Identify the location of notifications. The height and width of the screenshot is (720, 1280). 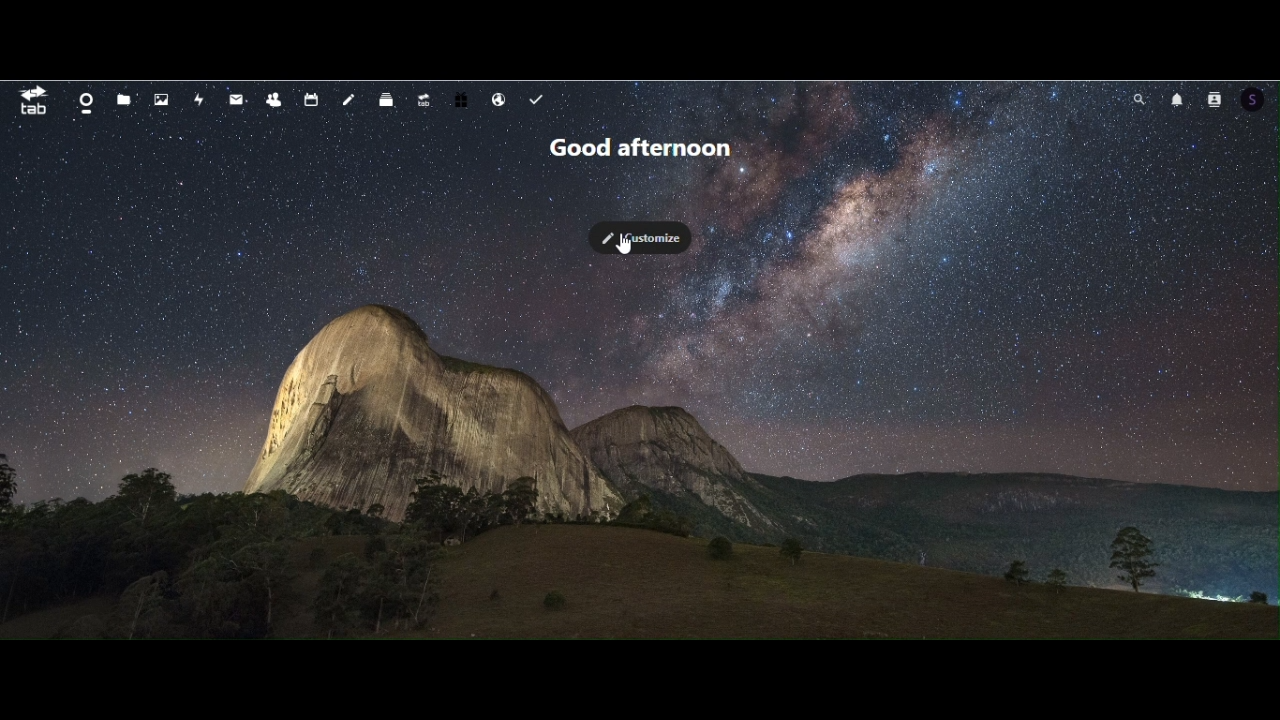
(1176, 97).